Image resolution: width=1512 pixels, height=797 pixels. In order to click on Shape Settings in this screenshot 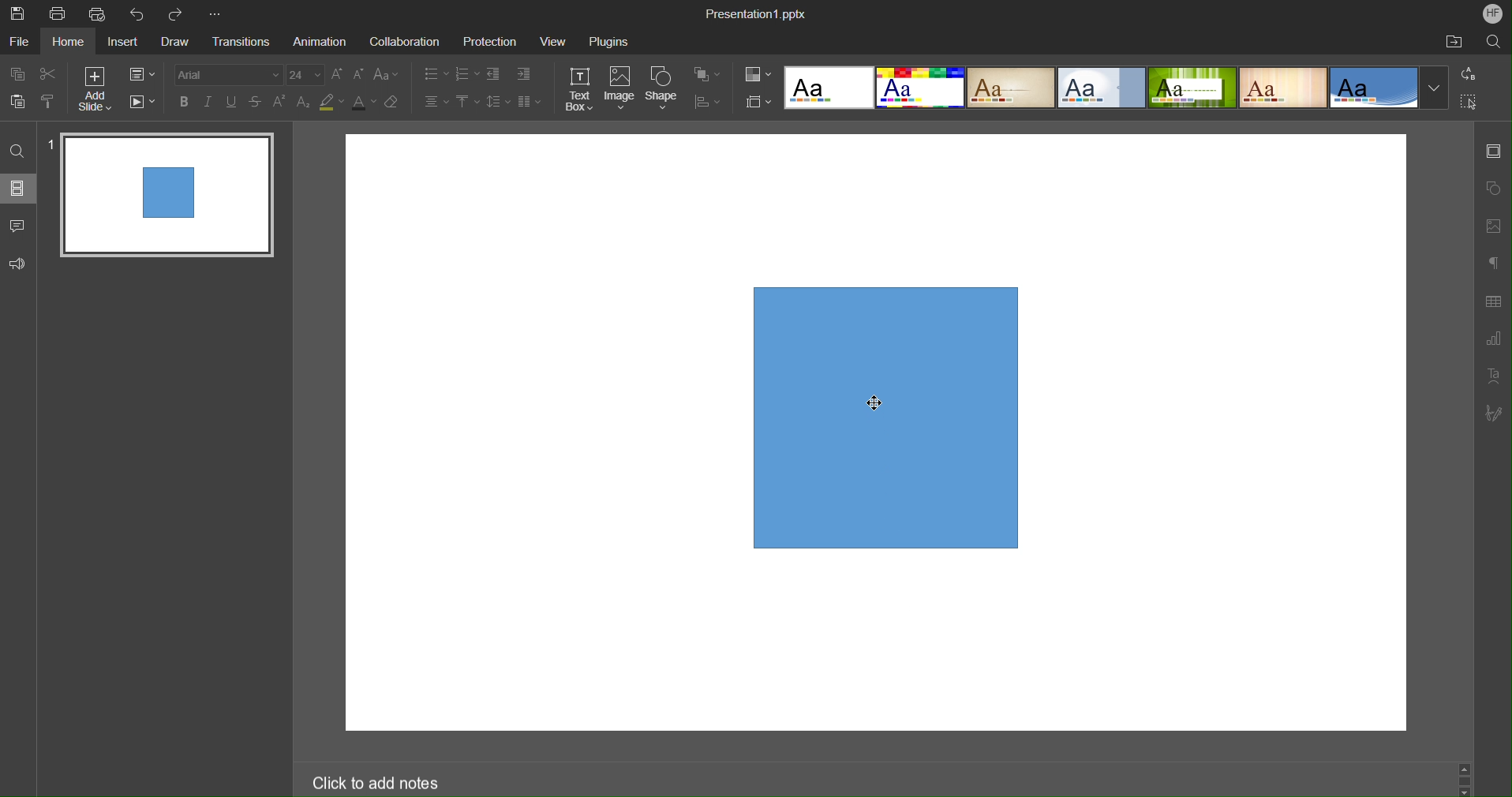, I will do `click(1491, 189)`.